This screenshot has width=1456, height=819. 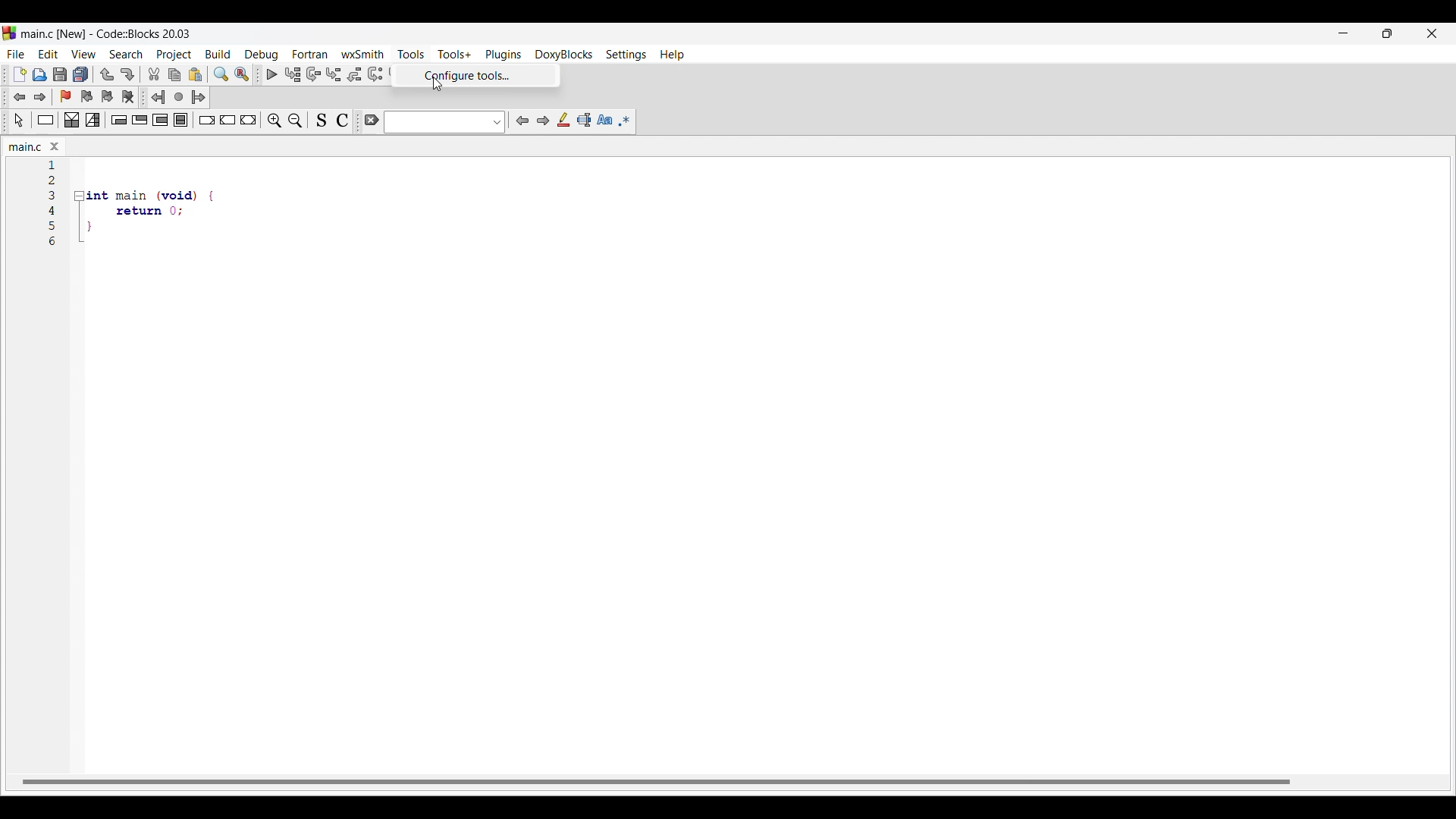 What do you see at coordinates (334, 74) in the screenshot?
I see `Step into` at bounding box center [334, 74].